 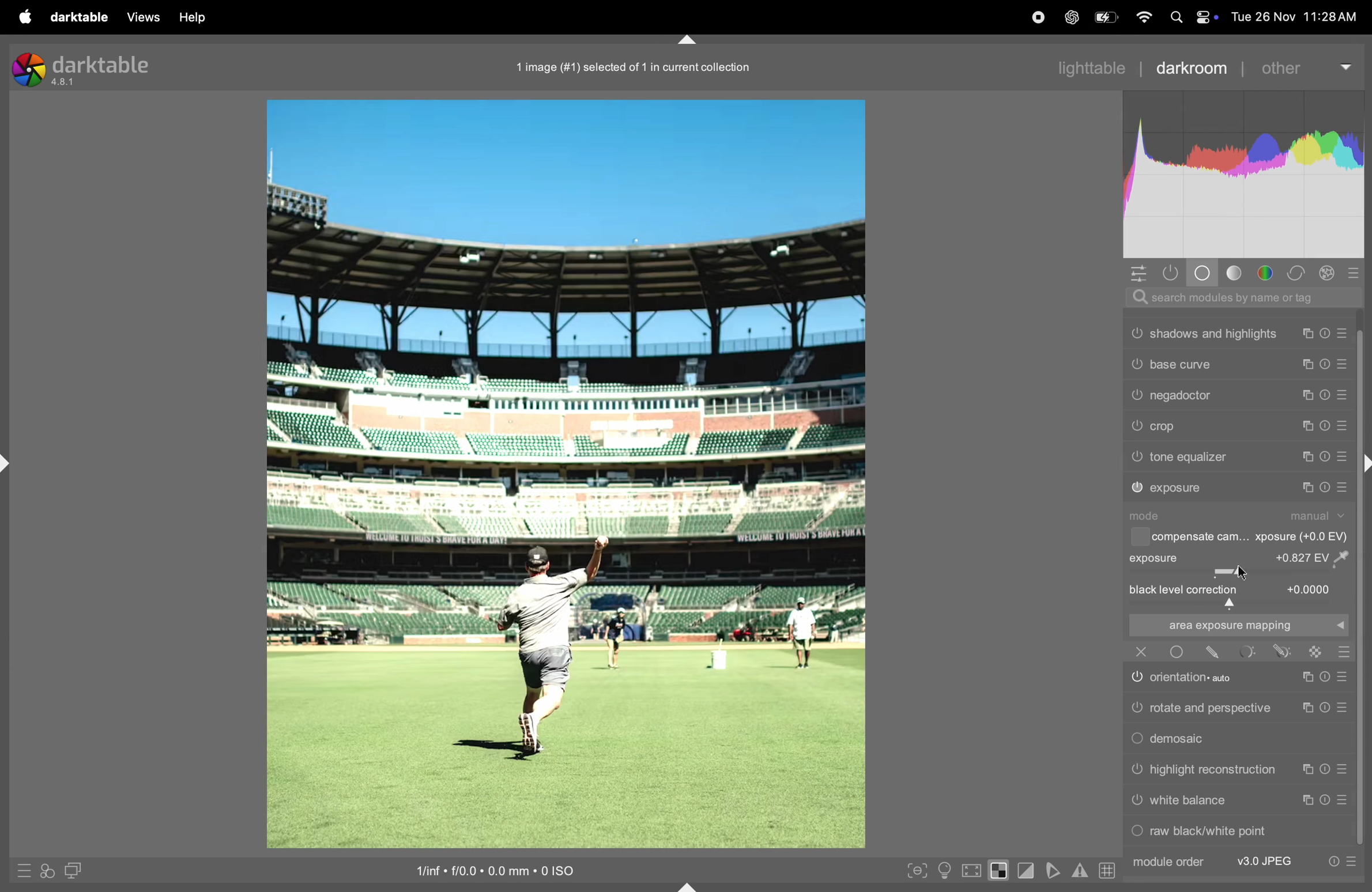 I want to click on Preset, so click(x=1345, y=652).